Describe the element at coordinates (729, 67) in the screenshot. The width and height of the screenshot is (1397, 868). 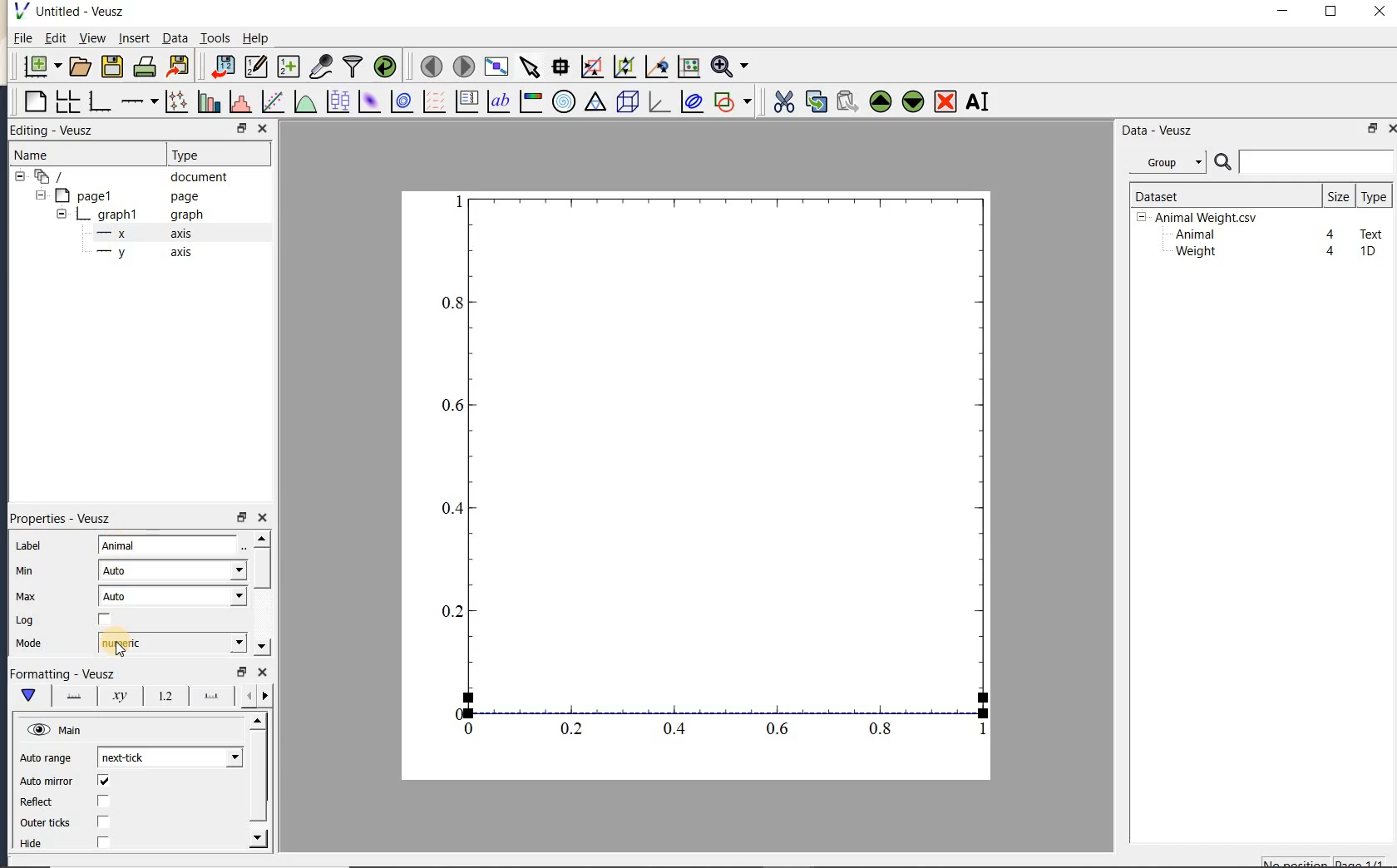
I see `zoom function menus` at that location.